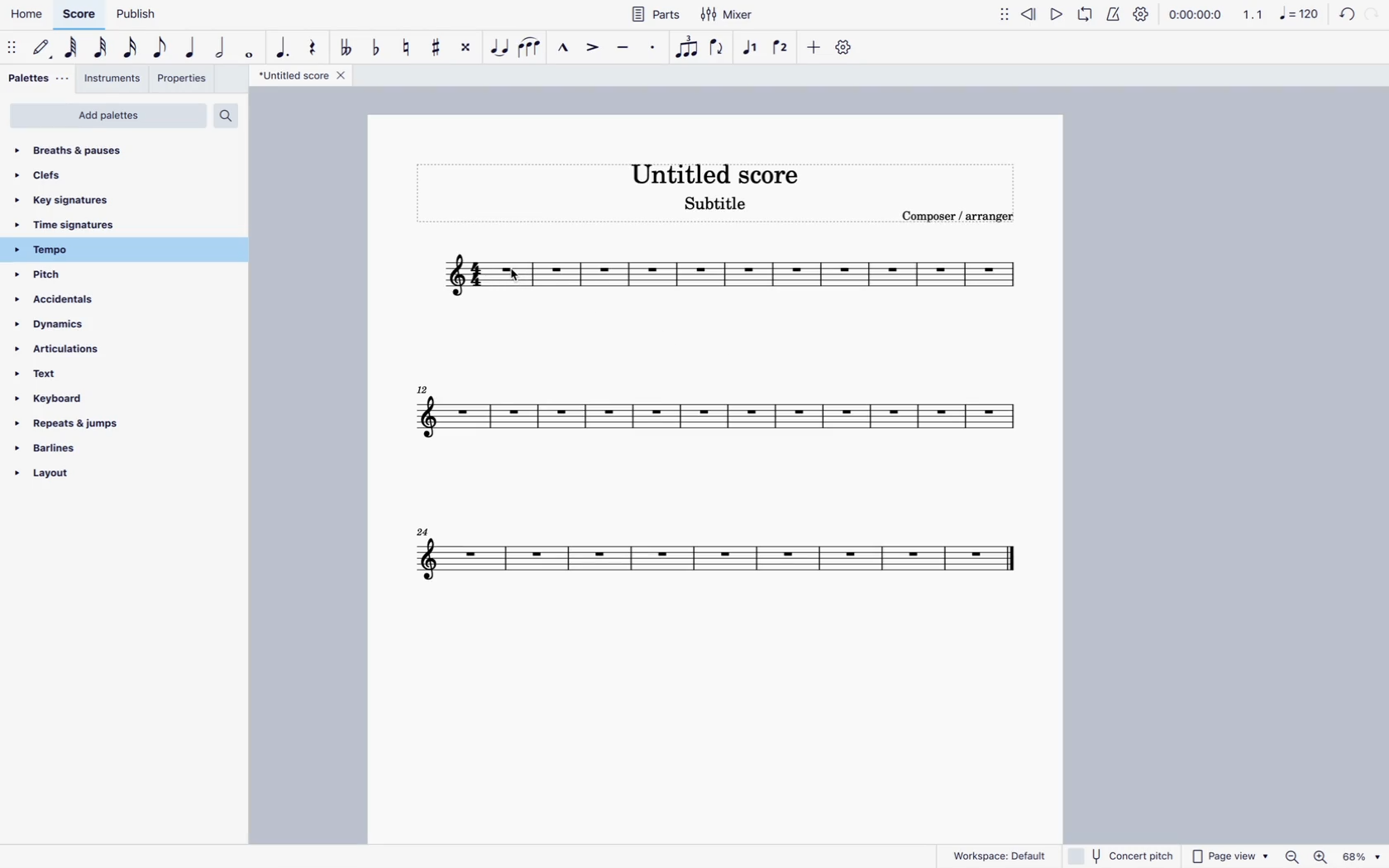 The width and height of the screenshot is (1389, 868). Describe the element at coordinates (1291, 856) in the screenshot. I see `zoom` at that location.